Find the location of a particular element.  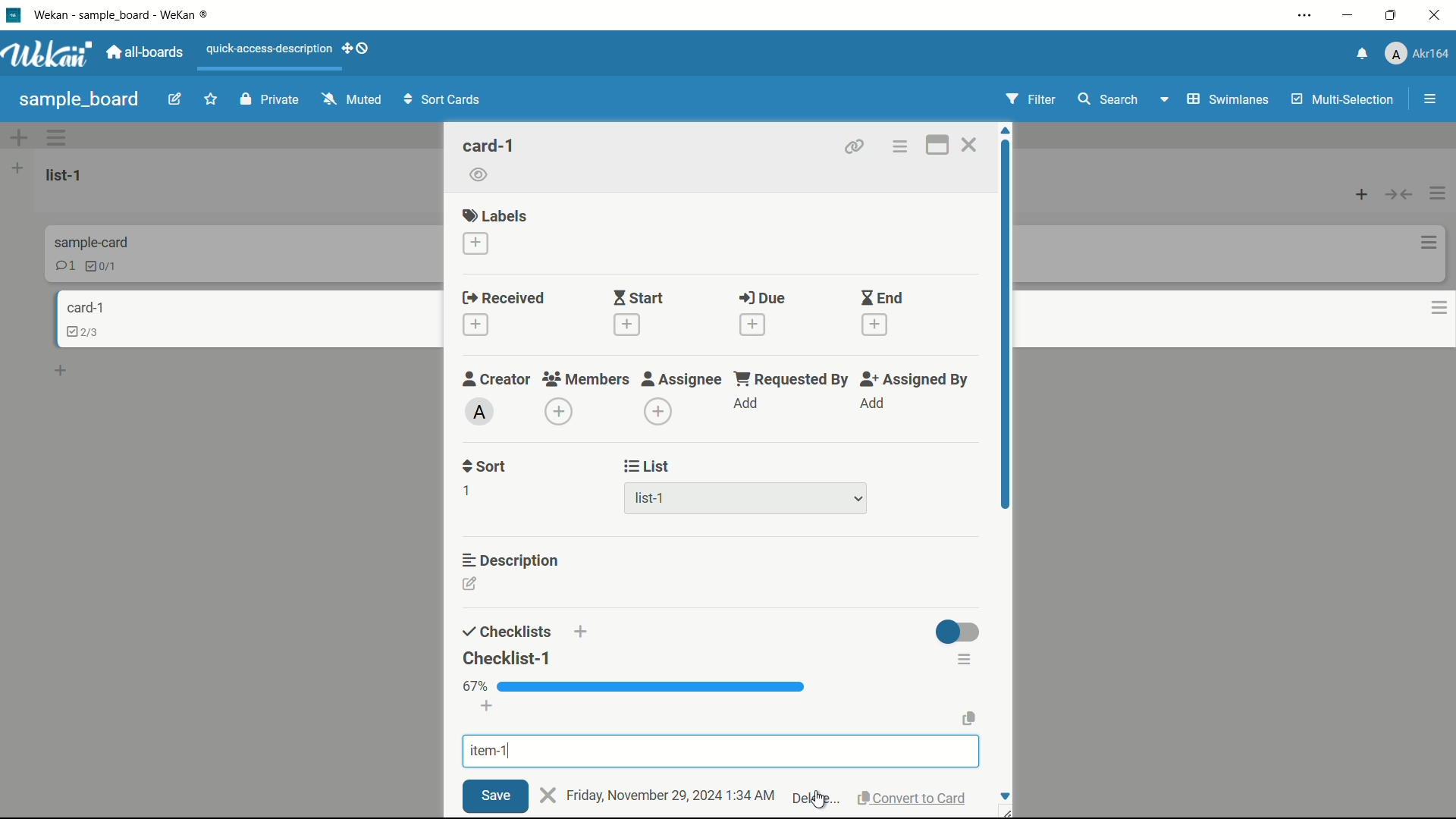

watch icon is located at coordinates (479, 174).